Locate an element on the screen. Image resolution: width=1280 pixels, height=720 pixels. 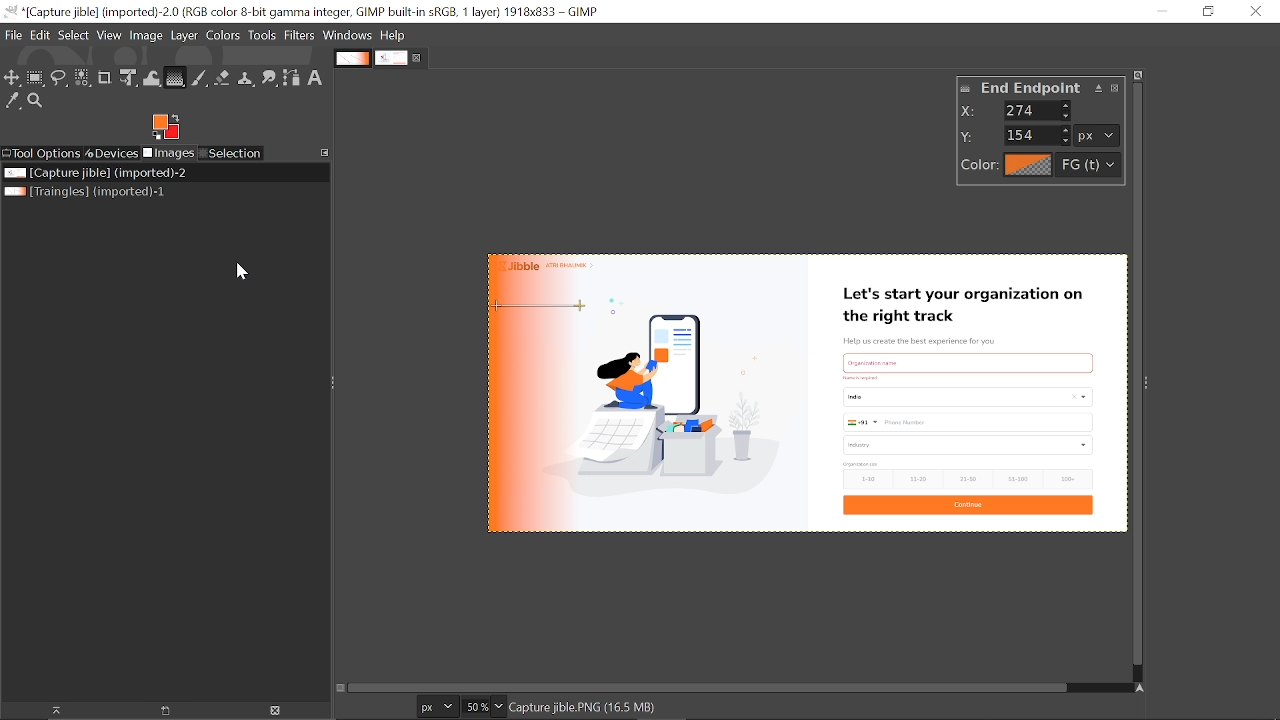
Windows is located at coordinates (348, 36).